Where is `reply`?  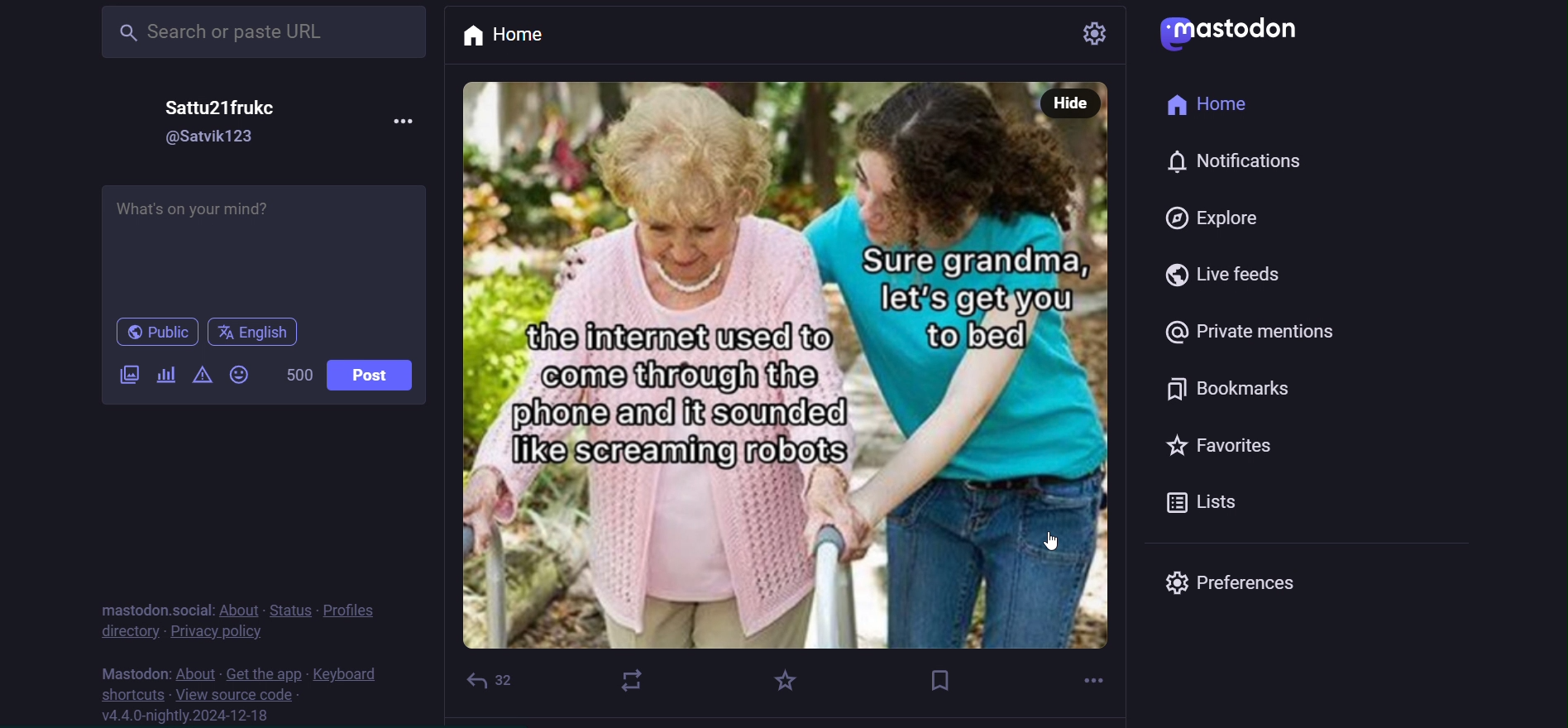
reply is located at coordinates (495, 680).